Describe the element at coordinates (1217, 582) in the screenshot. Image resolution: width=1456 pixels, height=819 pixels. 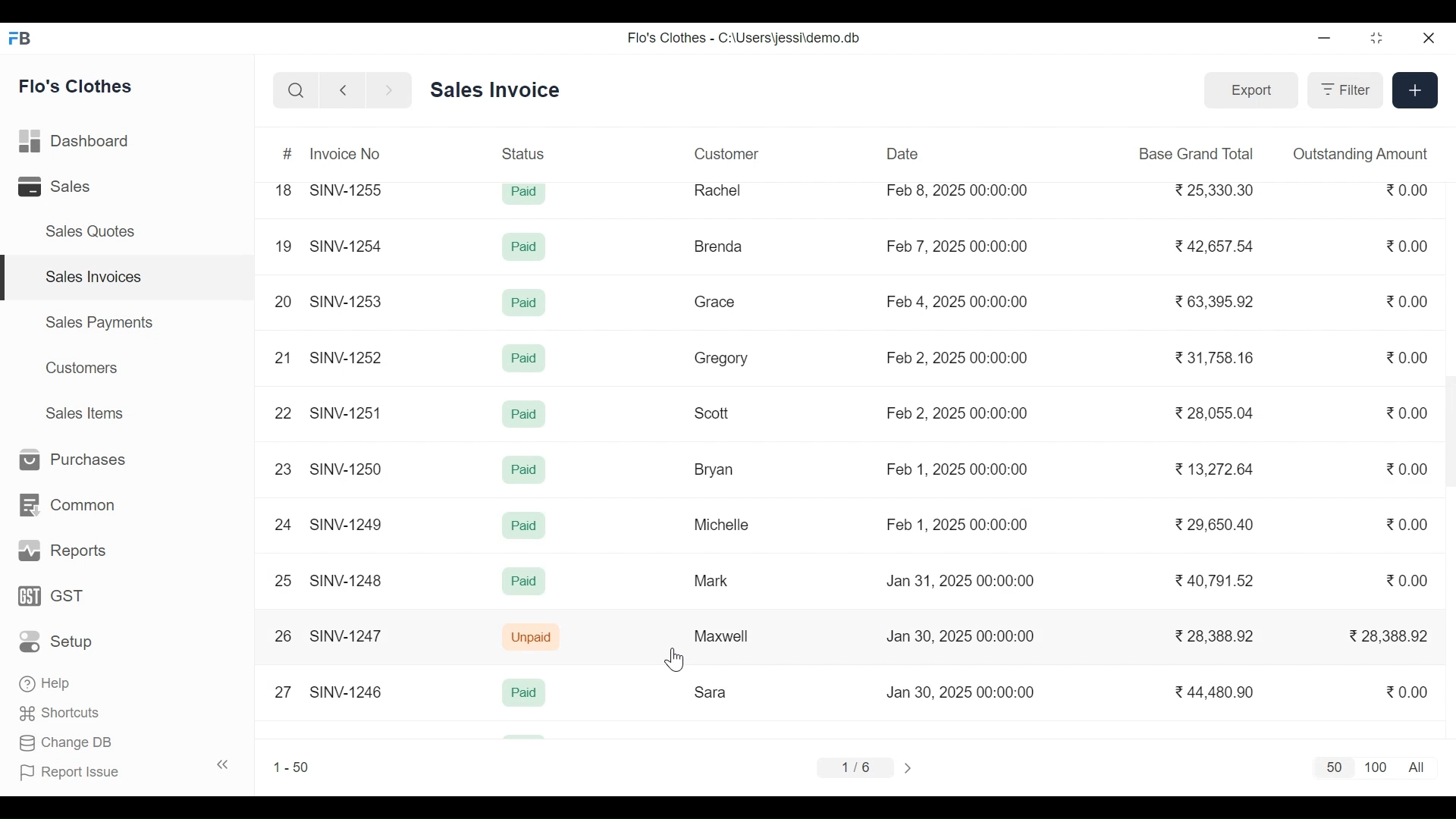
I see `40,791.52` at that location.